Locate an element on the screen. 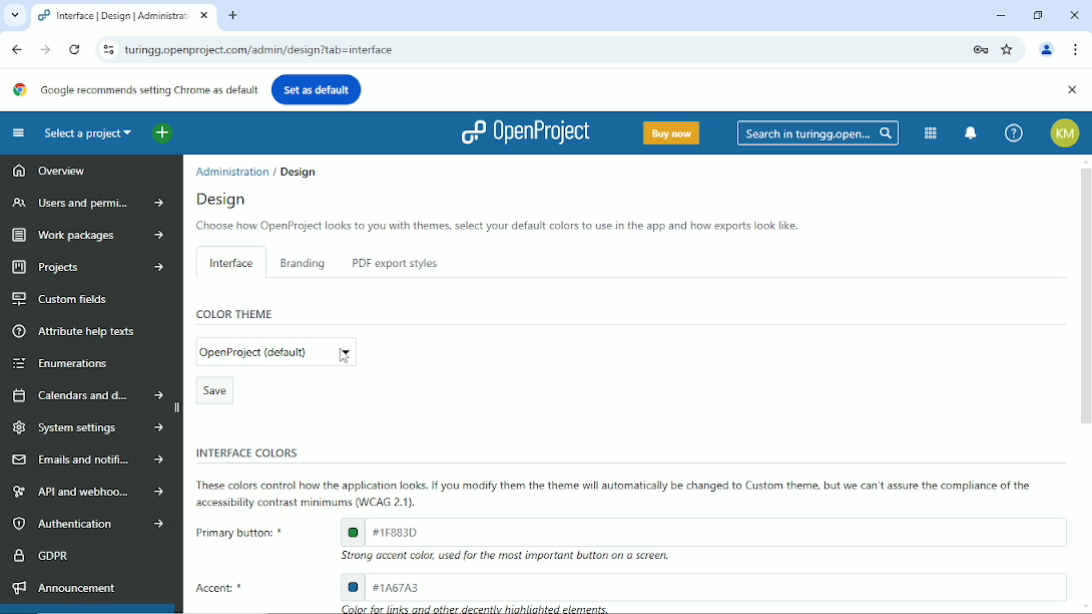 The height and width of the screenshot is (614, 1092). Account is located at coordinates (1066, 133).